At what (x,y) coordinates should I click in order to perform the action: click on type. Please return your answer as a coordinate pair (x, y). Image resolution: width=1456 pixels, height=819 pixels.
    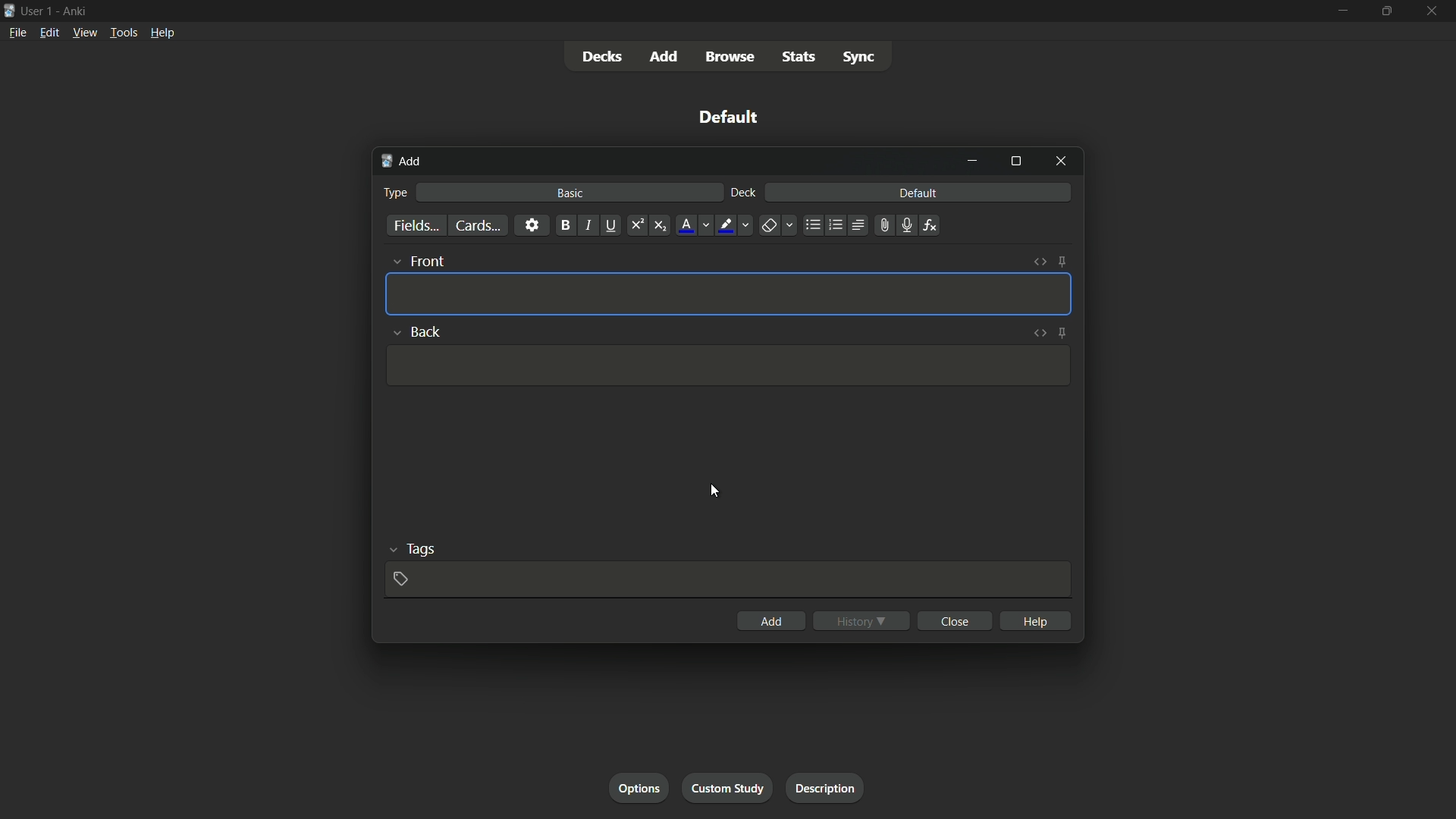
    Looking at the image, I should click on (397, 191).